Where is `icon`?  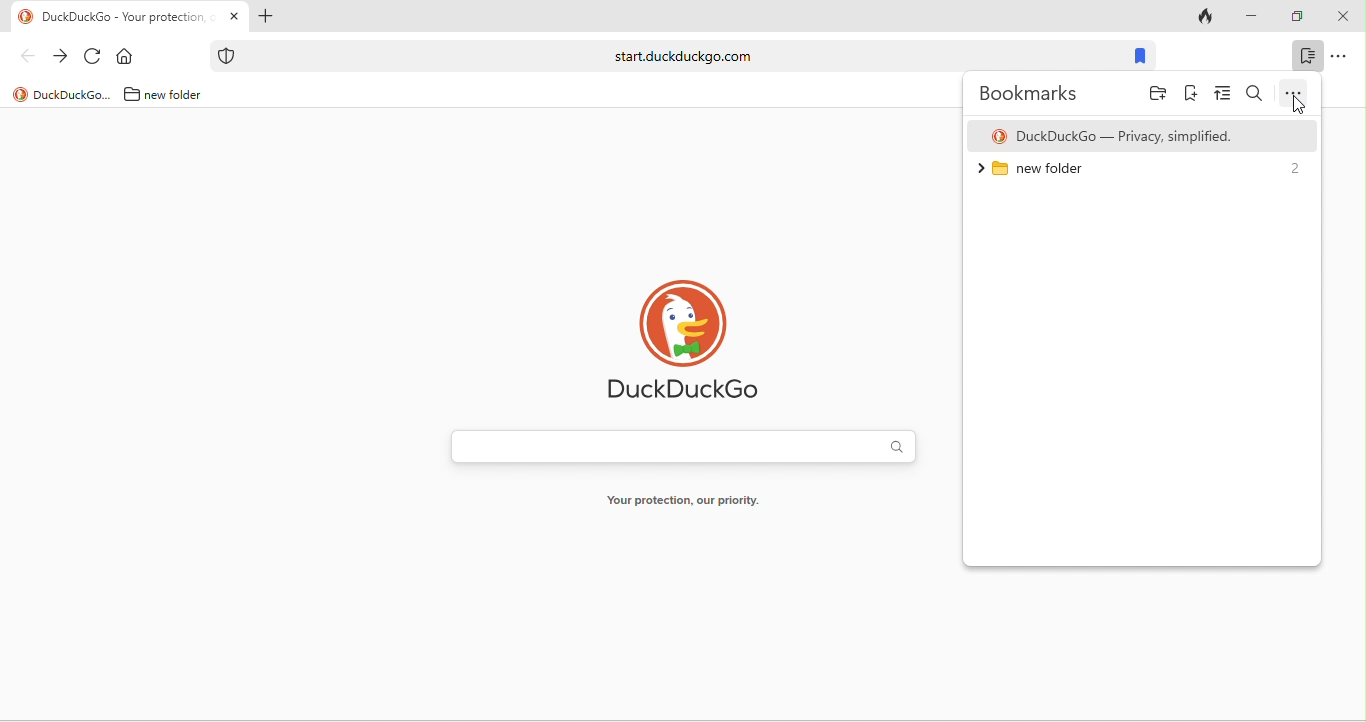
icon is located at coordinates (227, 56).